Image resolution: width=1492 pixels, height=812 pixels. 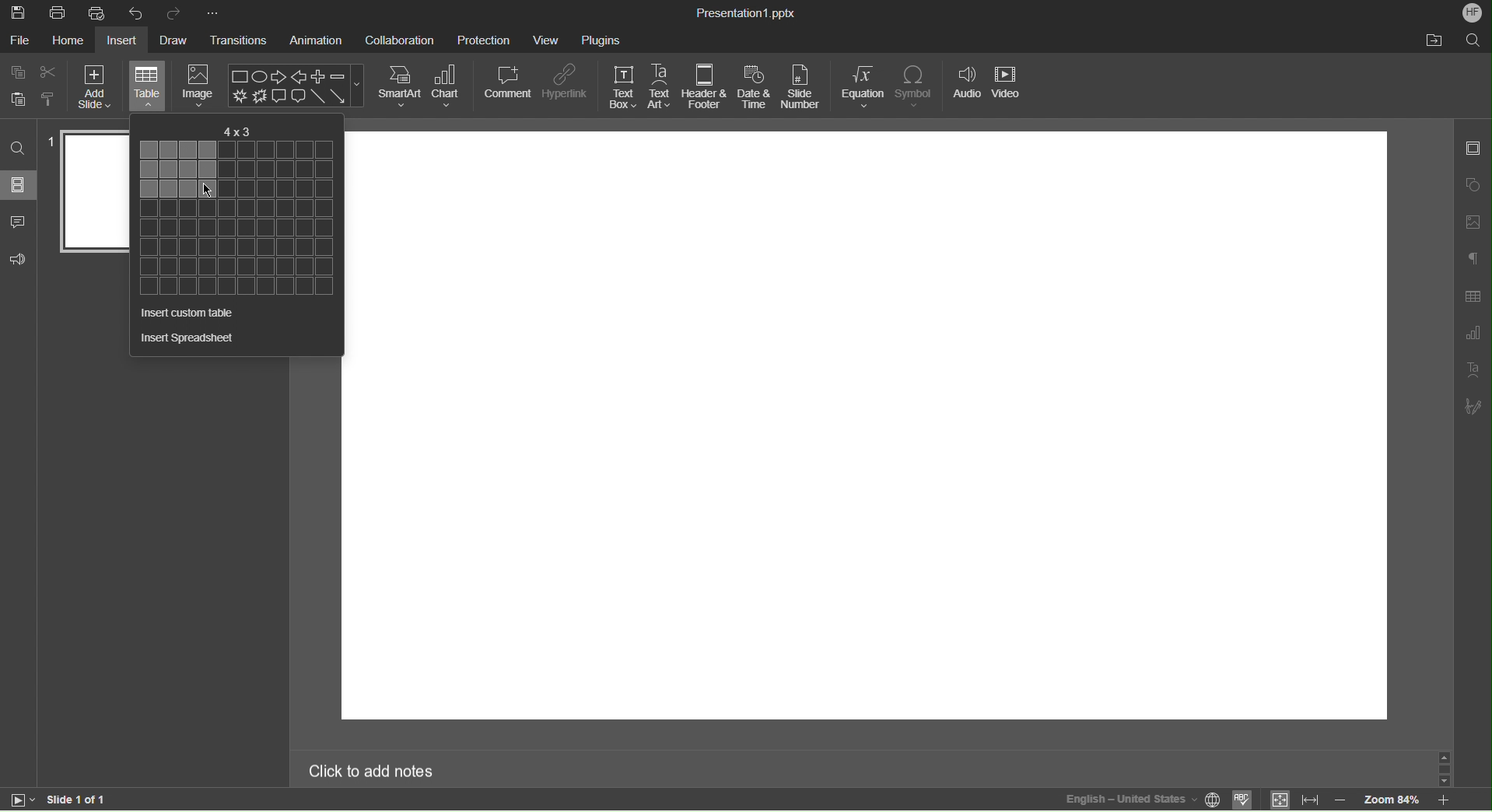 I want to click on Collaboration, so click(x=398, y=40).